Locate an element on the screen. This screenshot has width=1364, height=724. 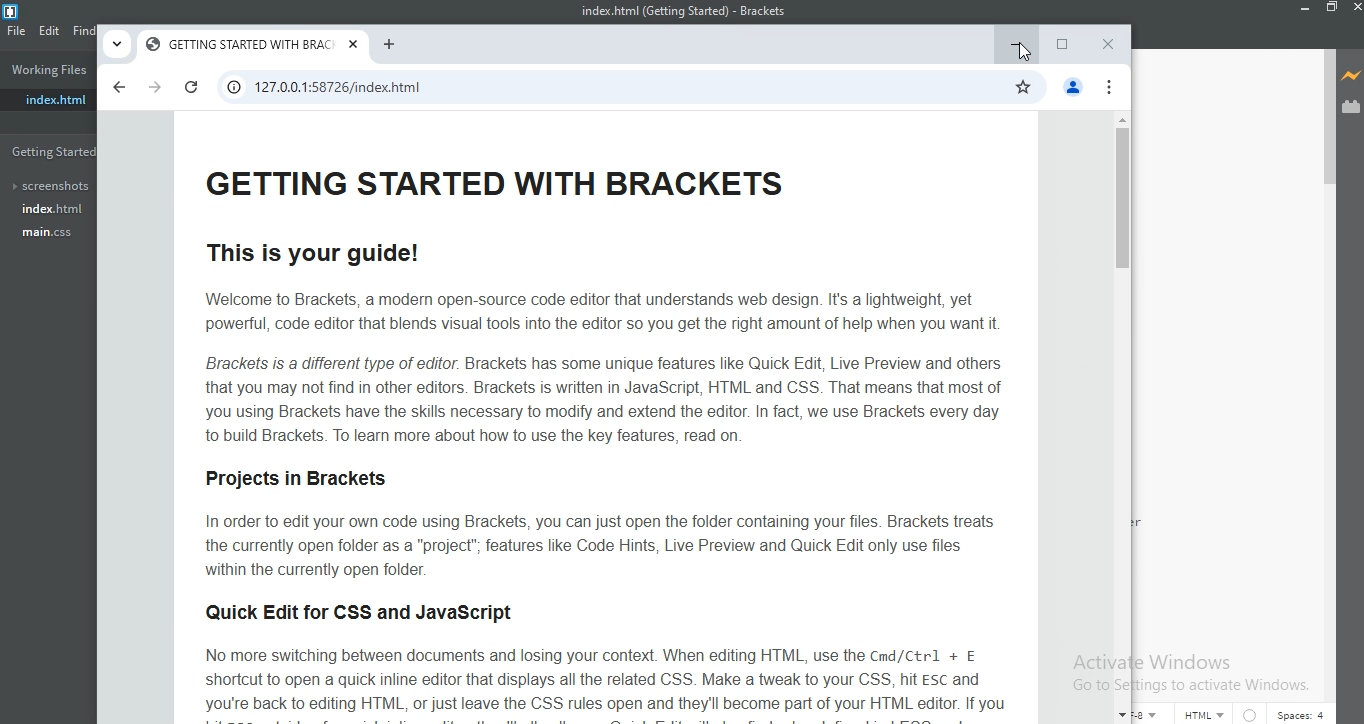
spaces: 4 is located at coordinates (1302, 713).